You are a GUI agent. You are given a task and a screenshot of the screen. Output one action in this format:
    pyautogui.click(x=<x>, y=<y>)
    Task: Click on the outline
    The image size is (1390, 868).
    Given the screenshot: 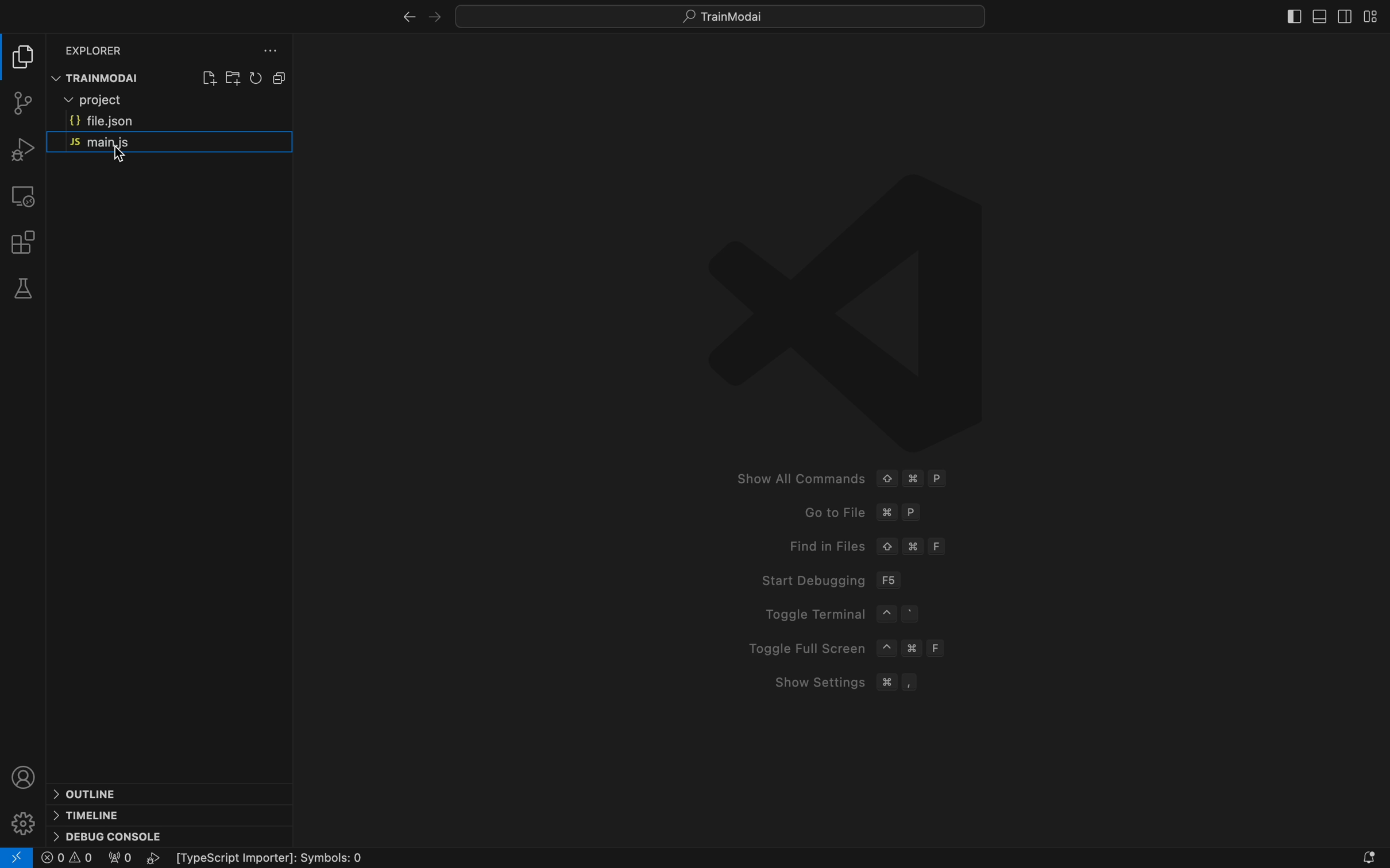 What is the action you would take?
    pyautogui.click(x=94, y=794)
    